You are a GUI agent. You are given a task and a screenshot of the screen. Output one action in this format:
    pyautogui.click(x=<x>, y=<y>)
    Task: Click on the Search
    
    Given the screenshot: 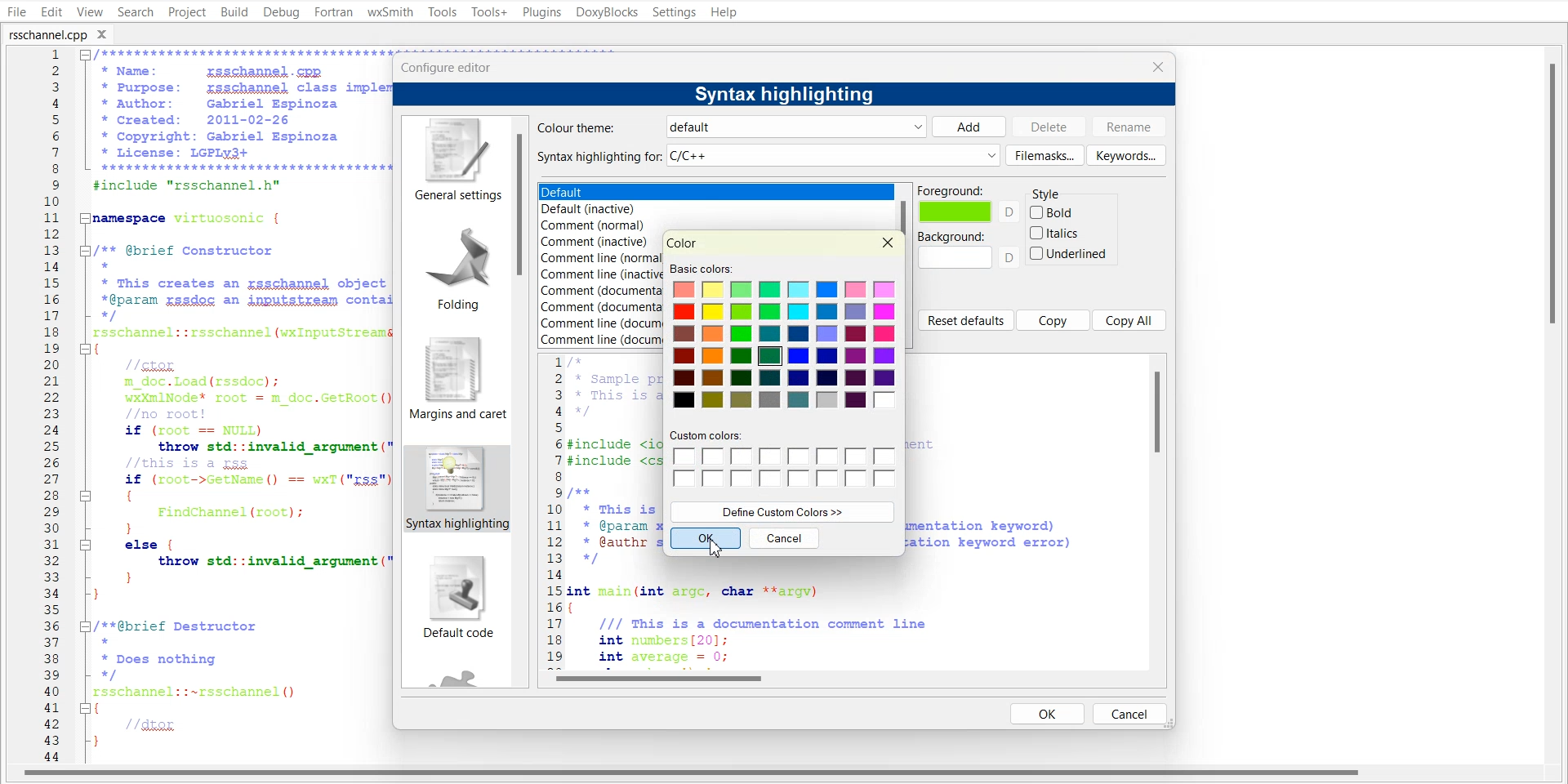 What is the action you would take?
    pyautogui.click(x=136, y=11)
    